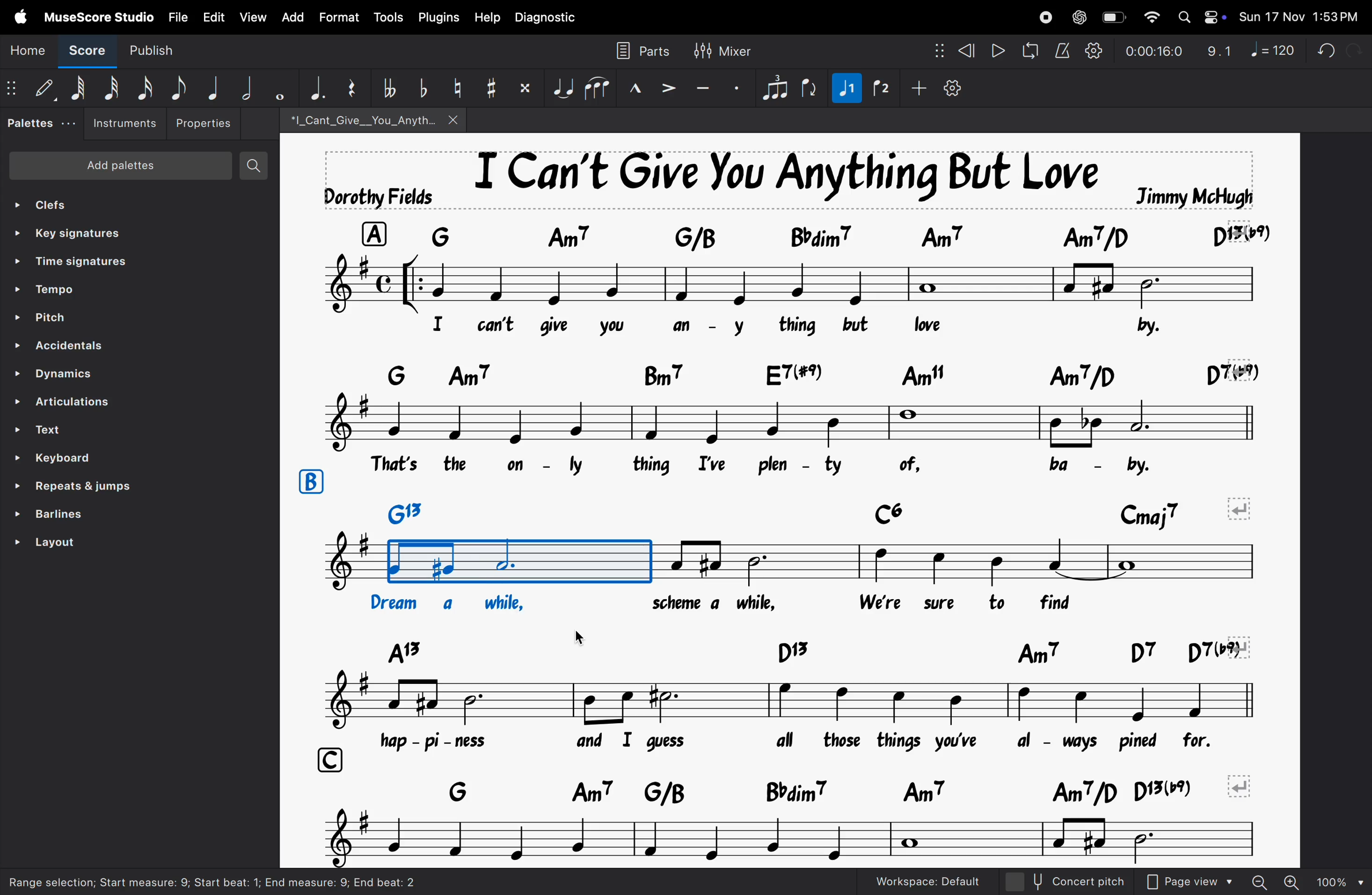 The image size is (1372, 895). I want to click on plus sign, so click(916, 88).